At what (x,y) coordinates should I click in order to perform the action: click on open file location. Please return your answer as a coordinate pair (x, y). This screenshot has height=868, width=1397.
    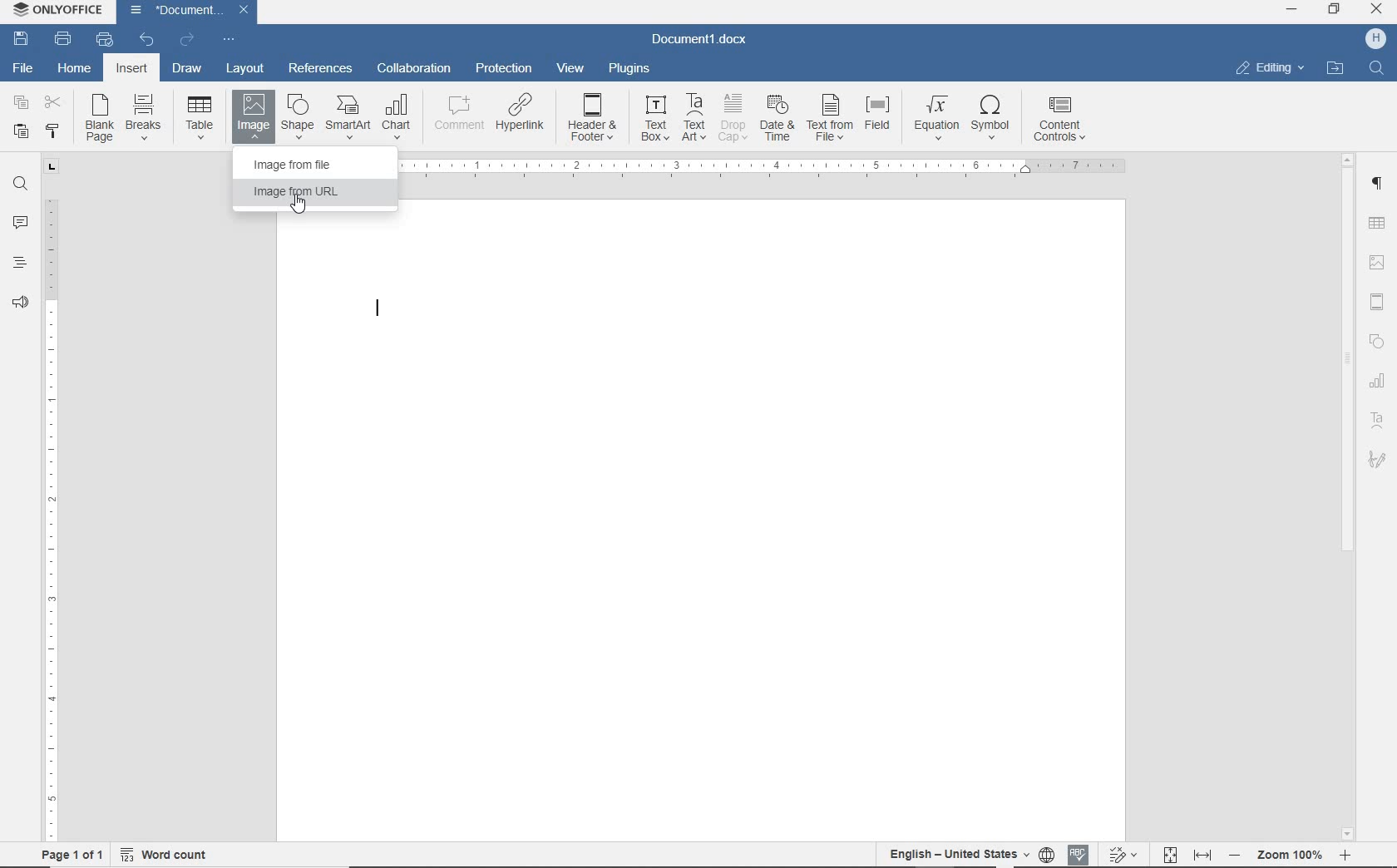
    Looking at the image, I should click on (1338, 70).